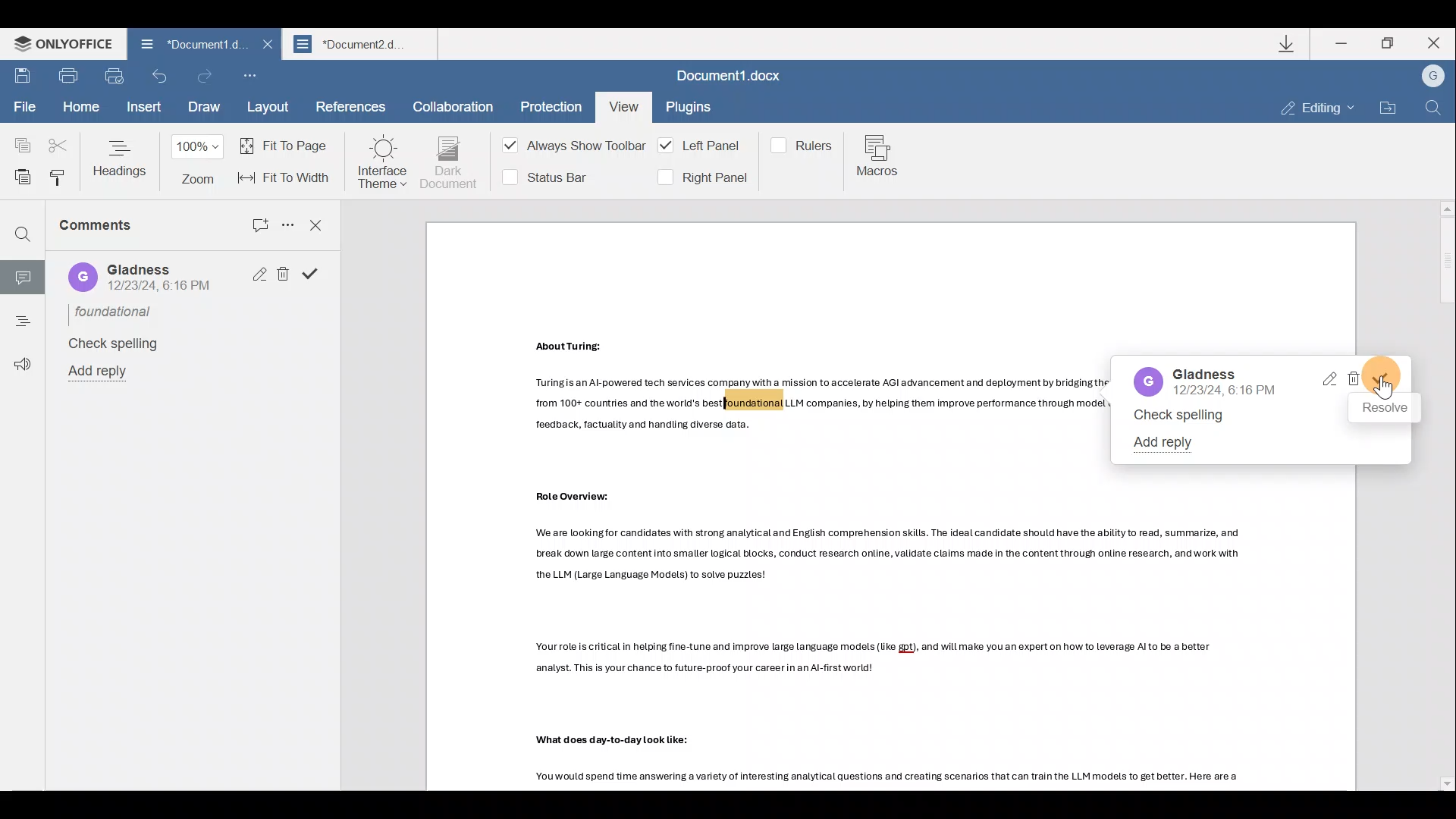 The image size is (1456, 819). What do you see at coordinates (115, 231) in the screenshot?
I see `Comments` at bounding box center [115, 231].